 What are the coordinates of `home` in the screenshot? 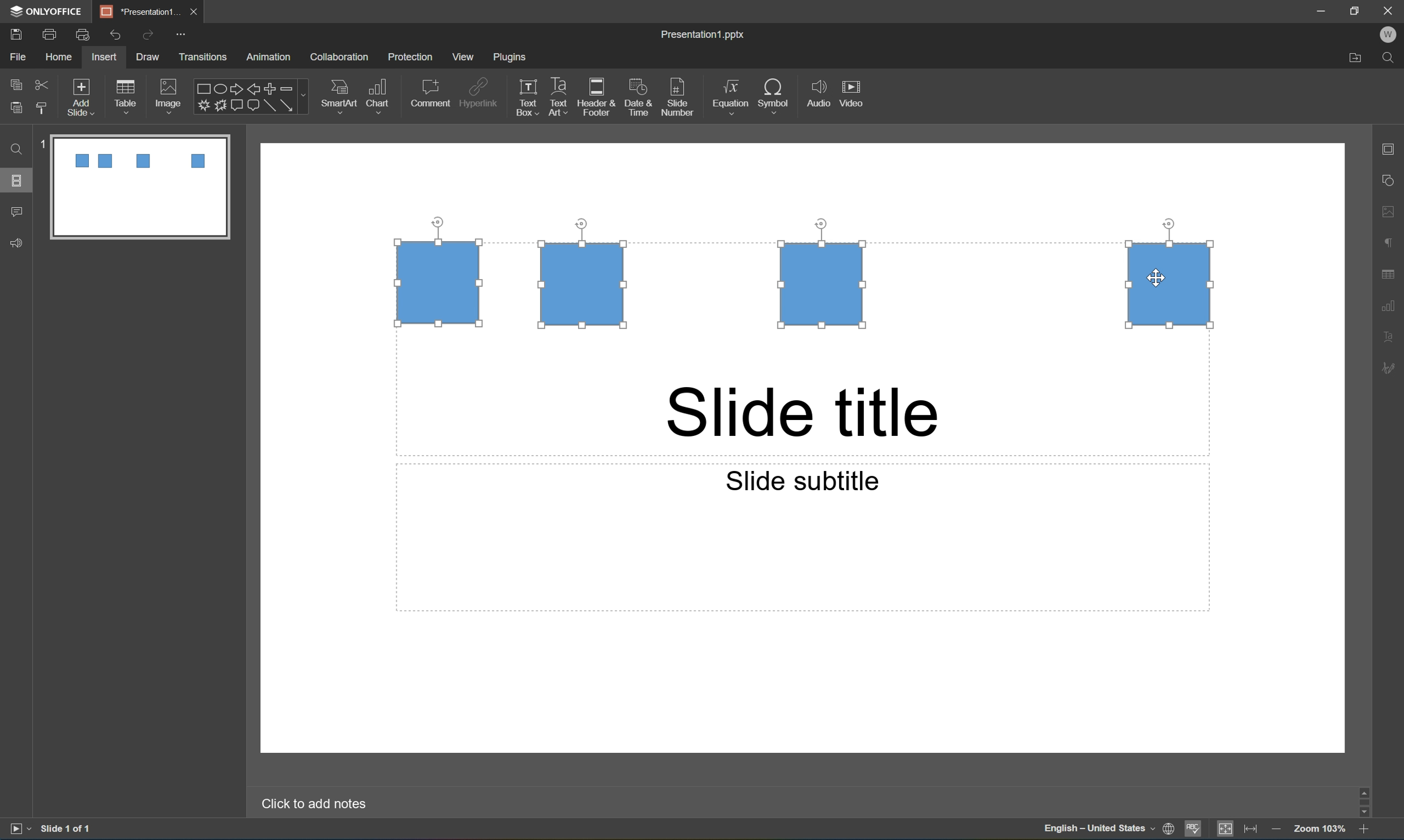 It's located at (58, 58).